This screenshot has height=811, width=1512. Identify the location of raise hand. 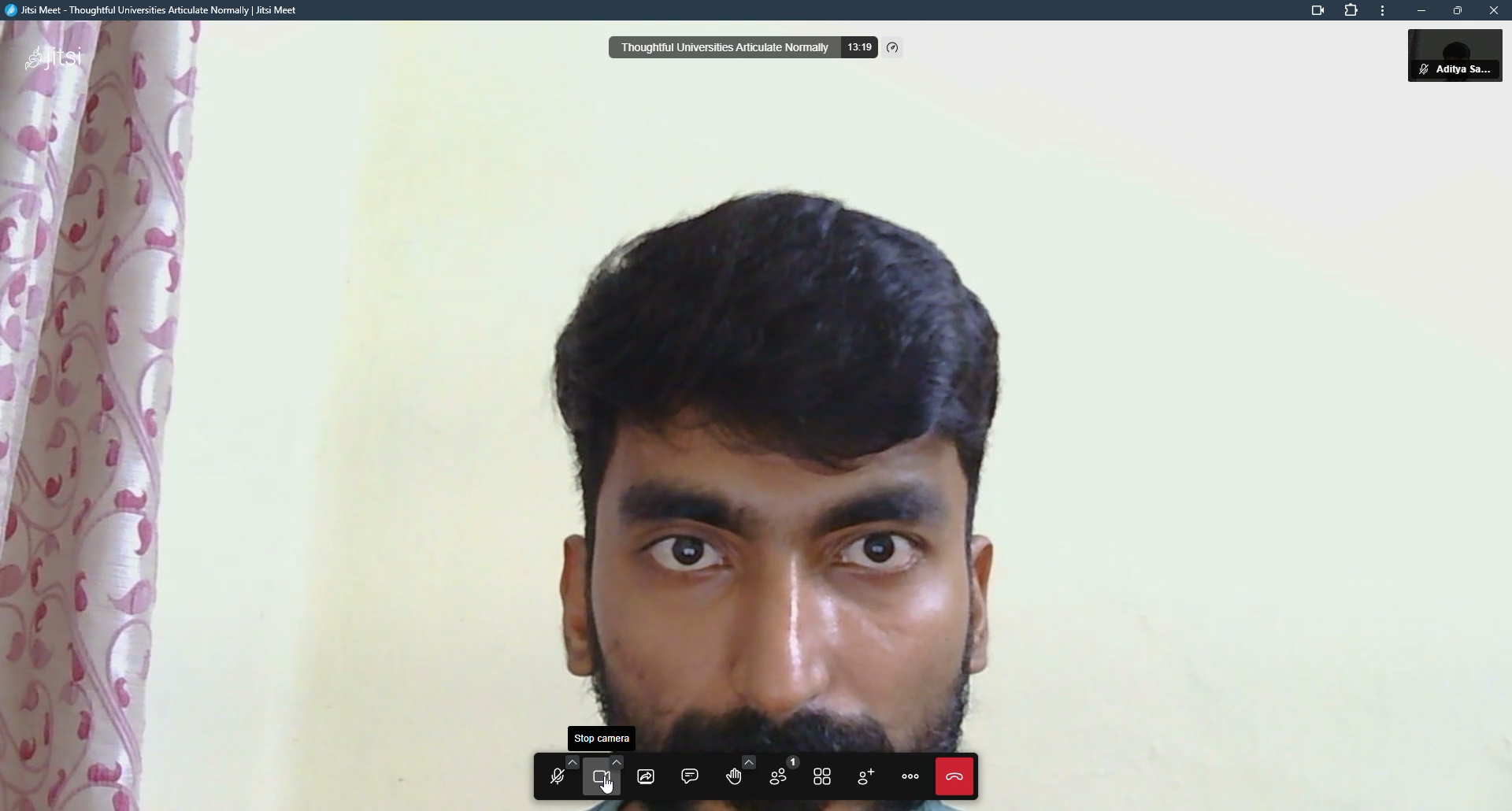
(738, 773).